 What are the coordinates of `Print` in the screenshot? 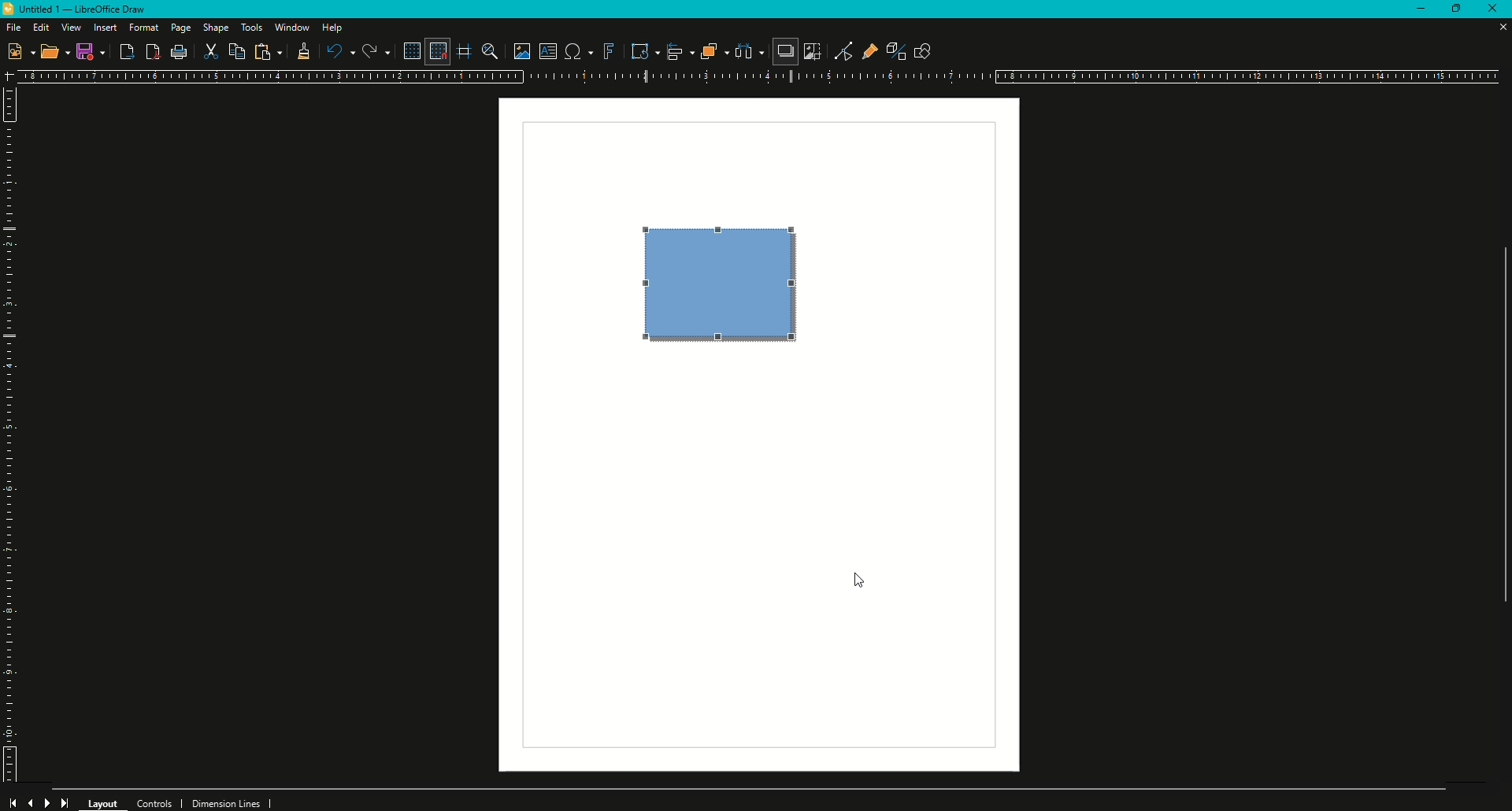 It's located at (180, 54).